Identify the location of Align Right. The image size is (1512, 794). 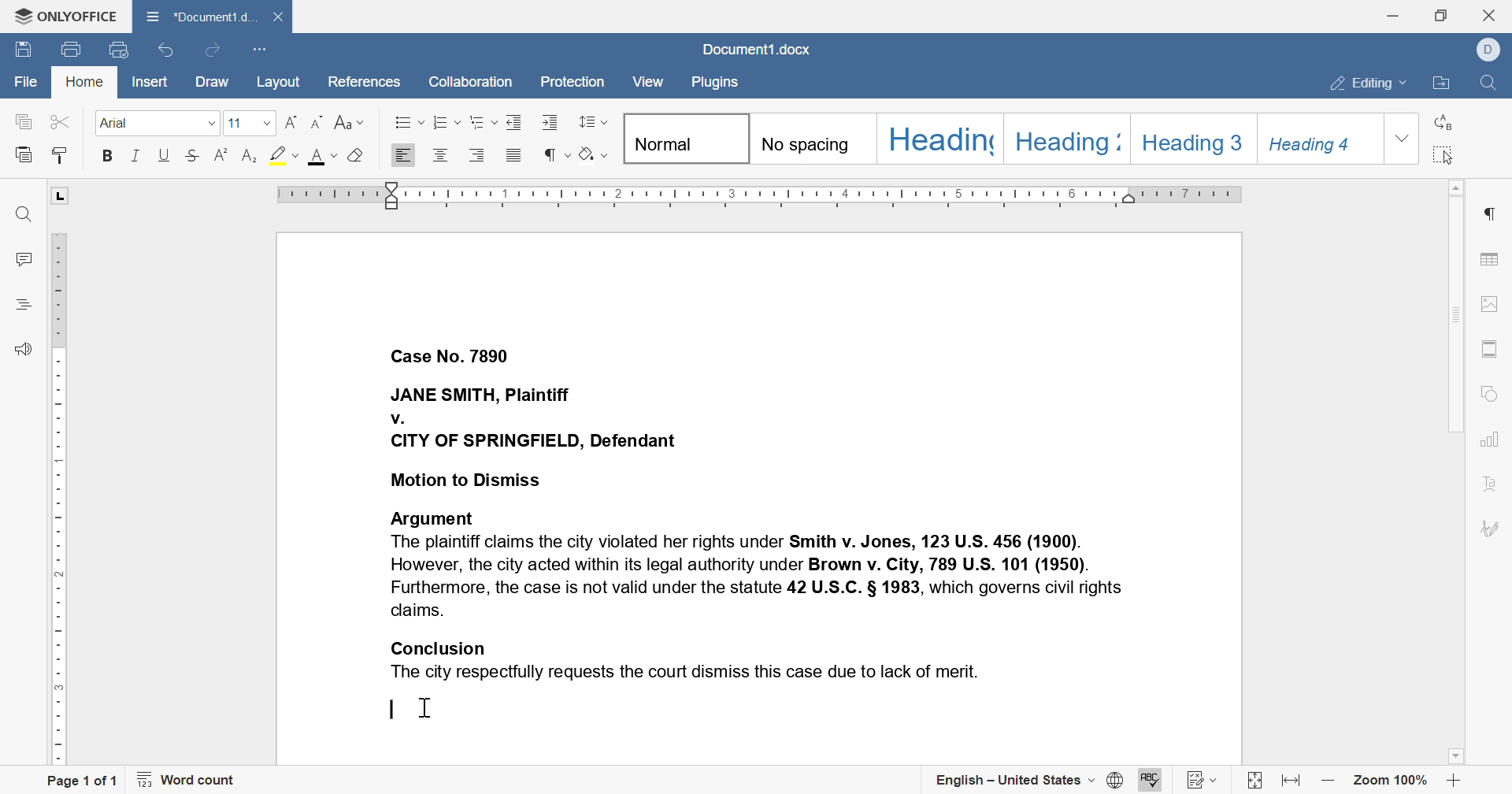
(404, 155).